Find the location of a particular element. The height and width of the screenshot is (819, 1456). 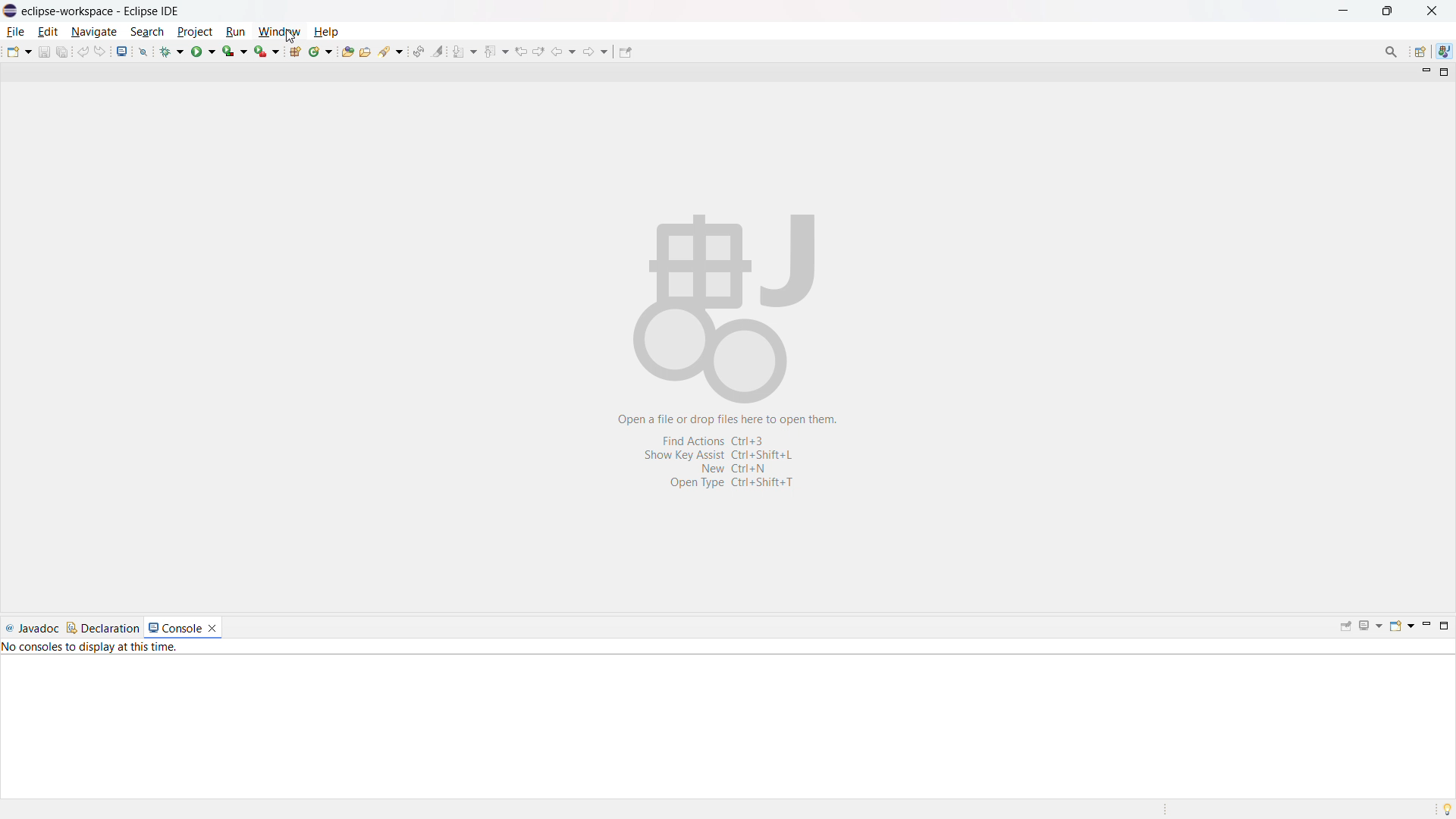

coverage is located at coordinates (236, 51).